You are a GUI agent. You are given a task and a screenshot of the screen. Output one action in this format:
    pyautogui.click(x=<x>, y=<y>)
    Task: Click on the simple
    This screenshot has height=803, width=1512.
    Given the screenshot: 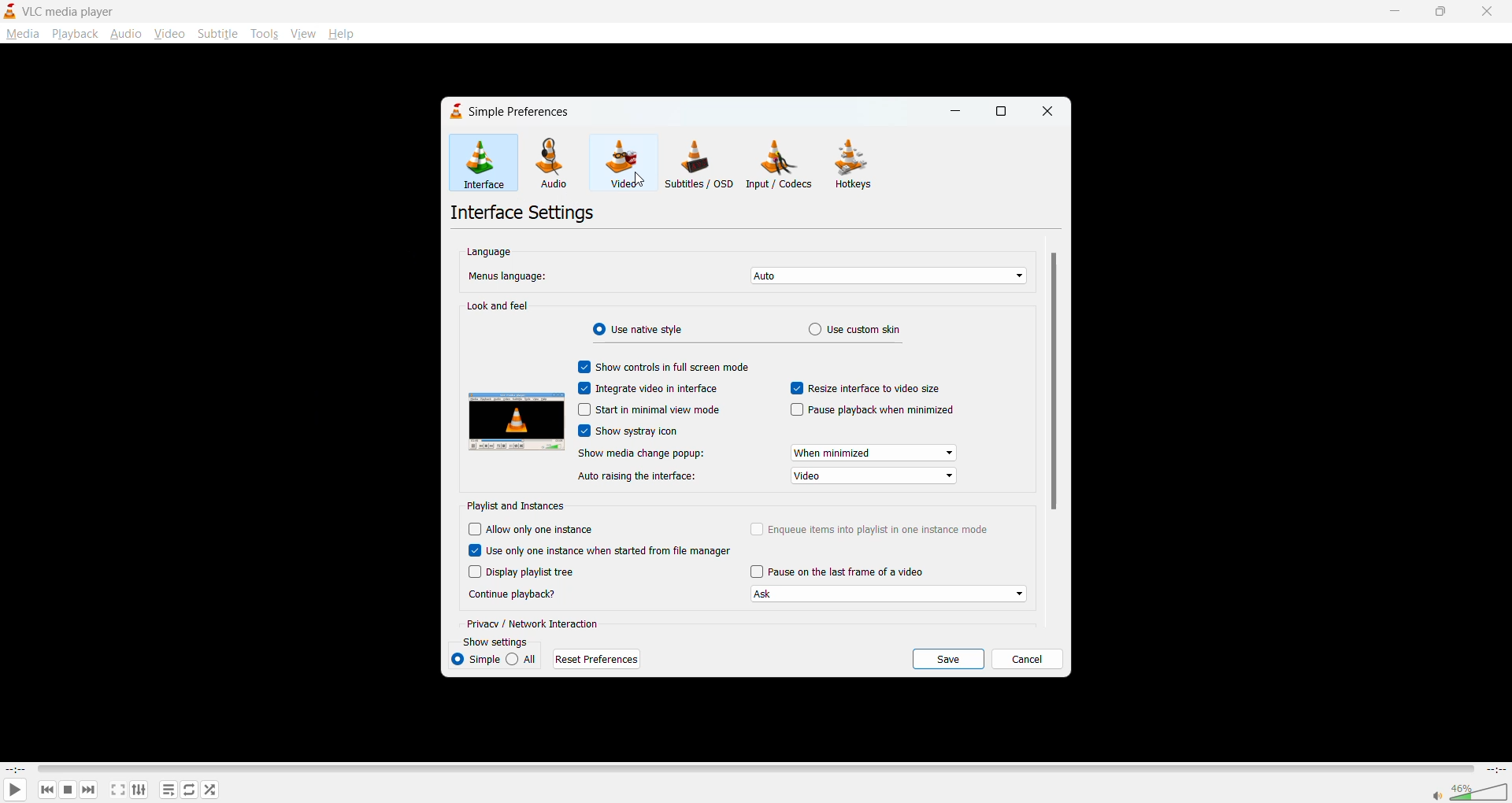 What is the action you would take?
    pyautogui.click(x=475, y=658)
    